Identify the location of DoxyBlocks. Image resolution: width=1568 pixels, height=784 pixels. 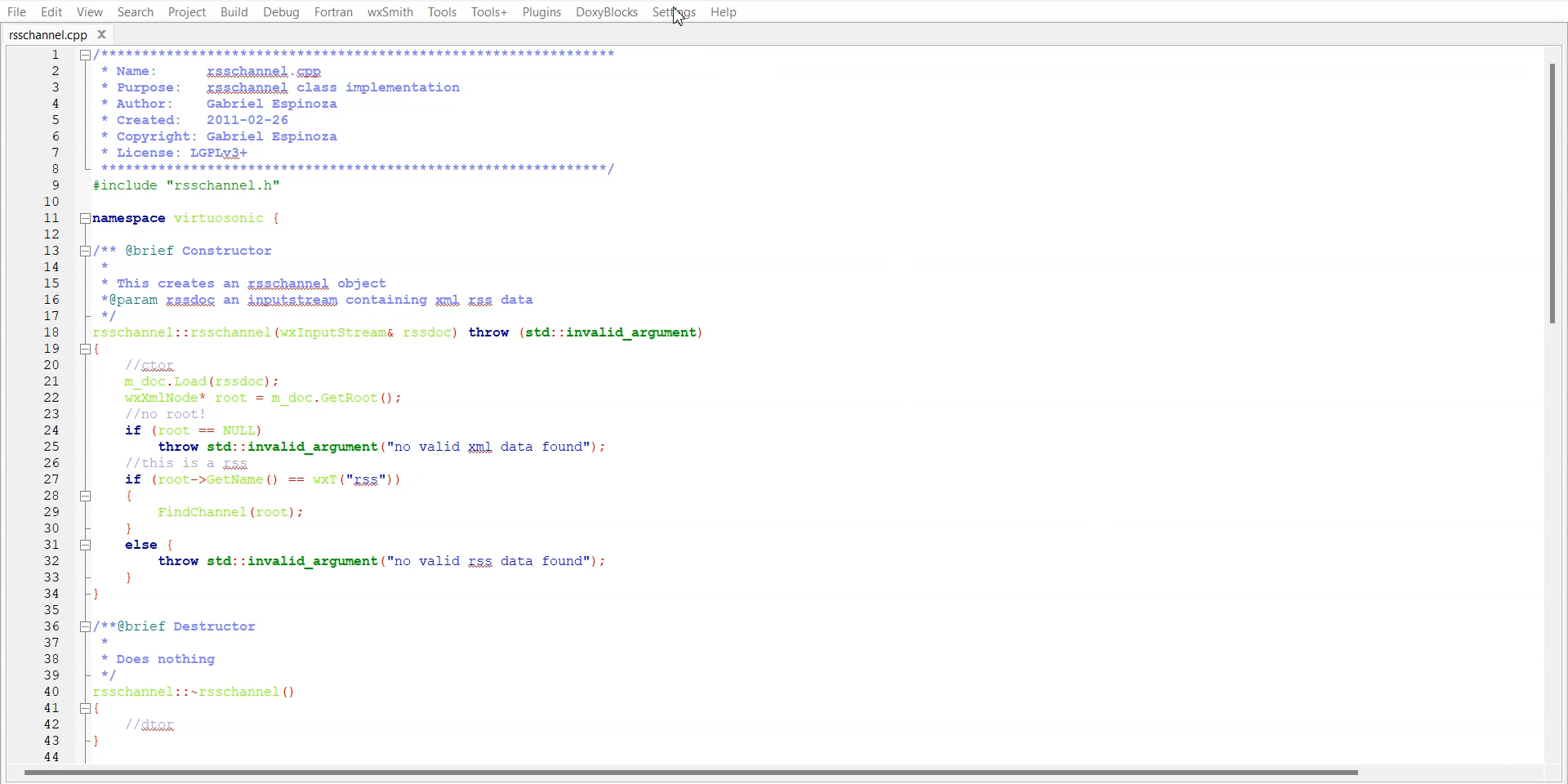
(606, 12).